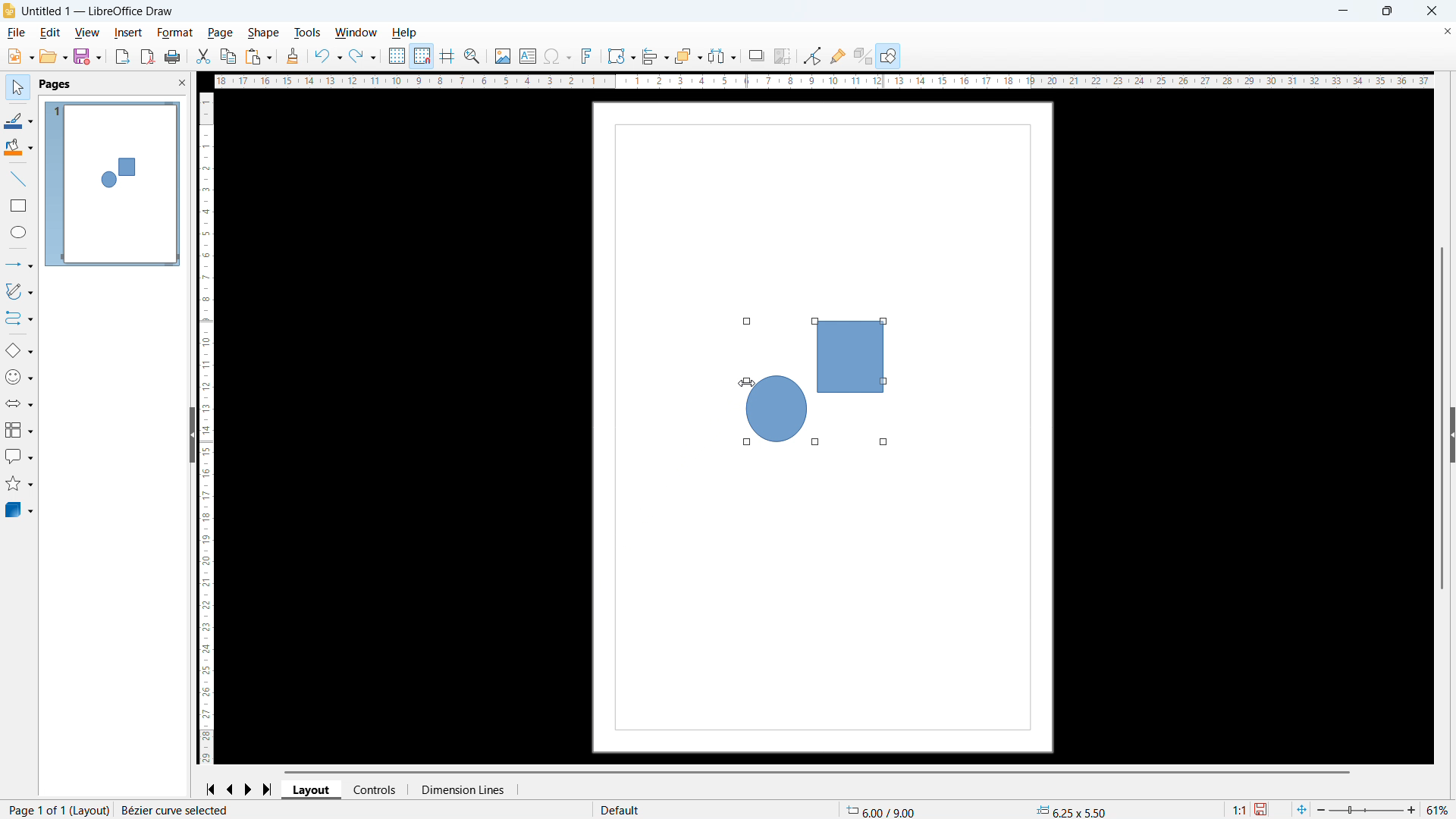 This screenshot has height=819, width=1456. Describe the element at coordinates (18, 178) in the screenshot. I see `line ` at that location.